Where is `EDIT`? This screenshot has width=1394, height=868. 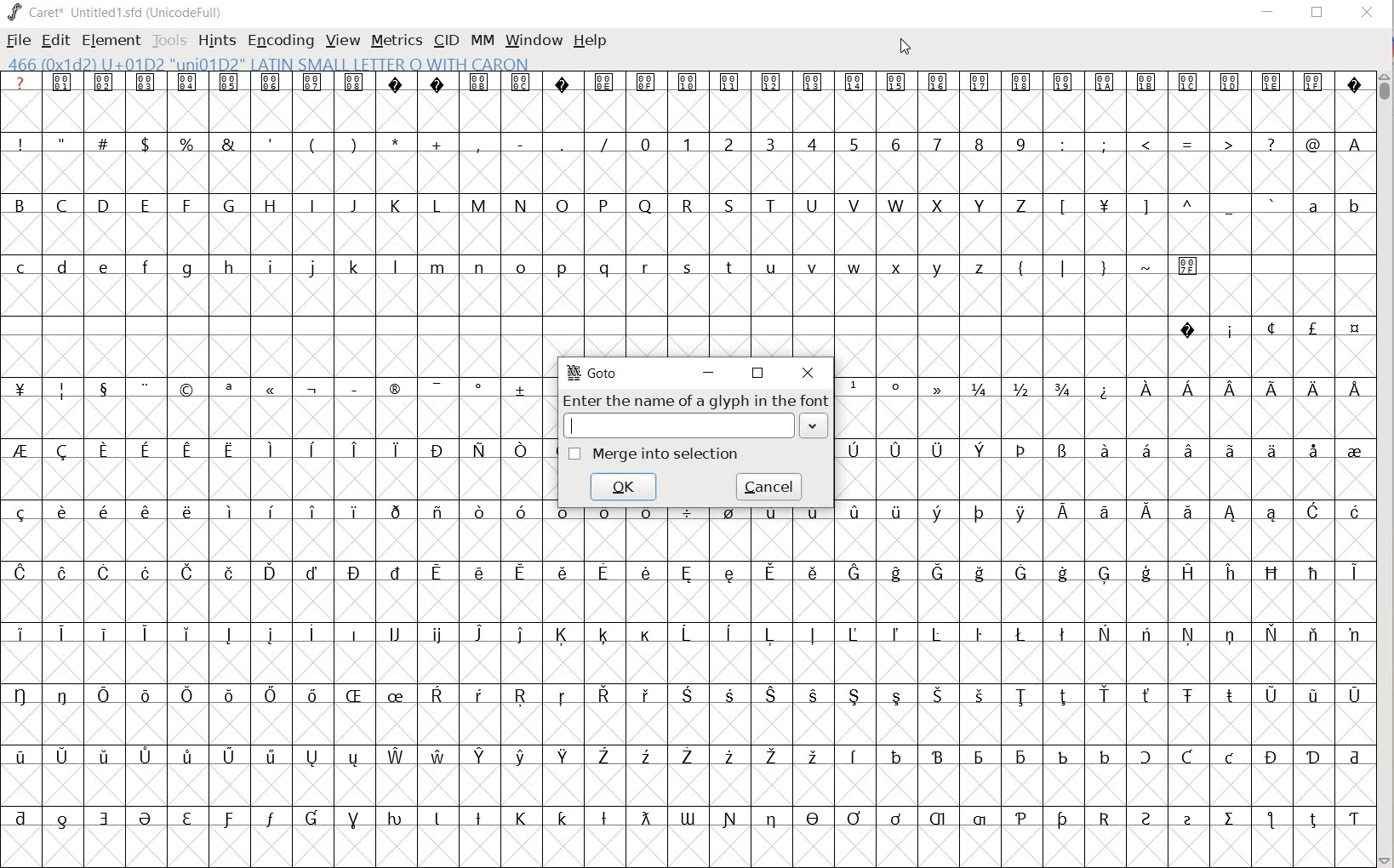 EDIT is located at coordinates (57, 41).